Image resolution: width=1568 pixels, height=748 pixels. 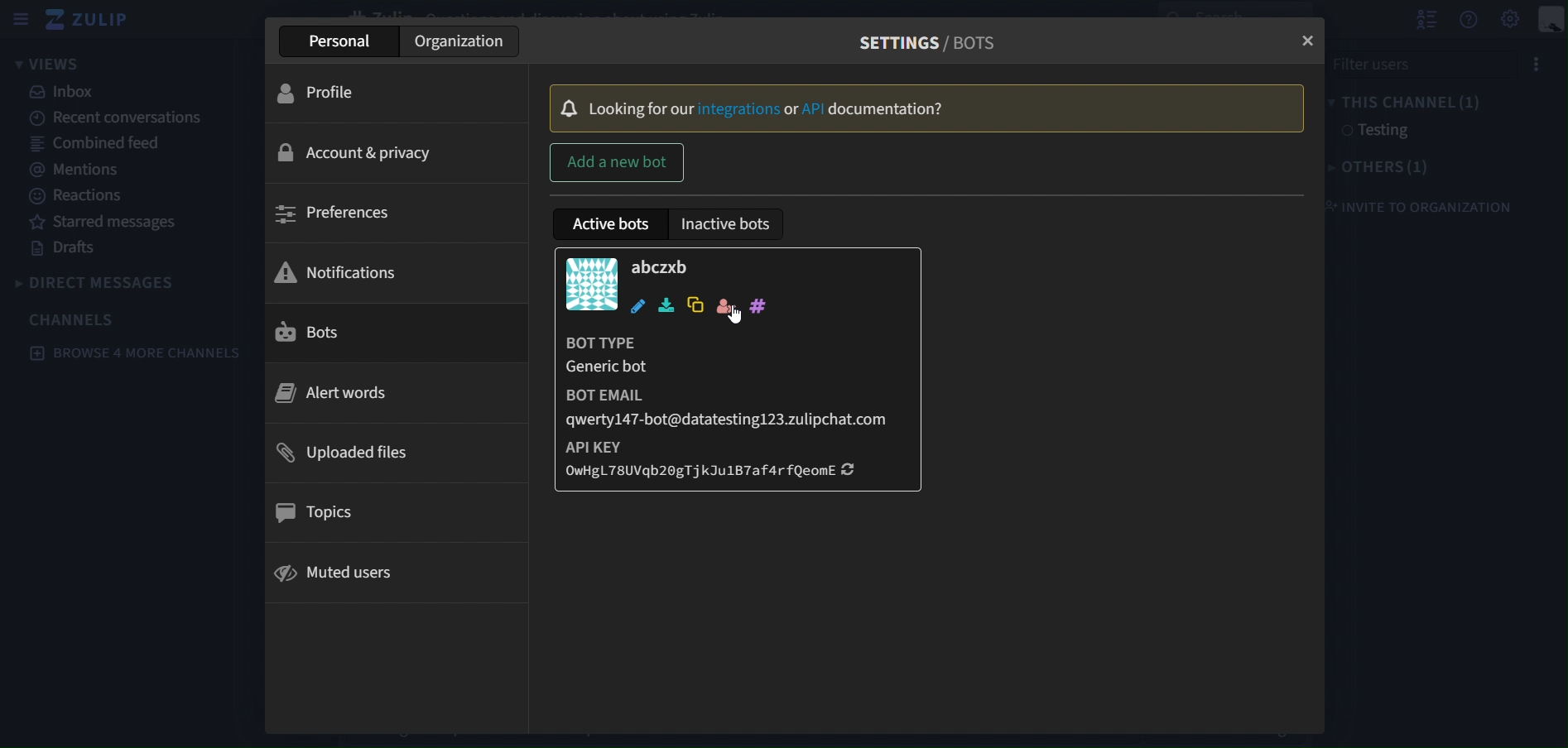 I want to click on direct messages, so click(x=98, y=280).